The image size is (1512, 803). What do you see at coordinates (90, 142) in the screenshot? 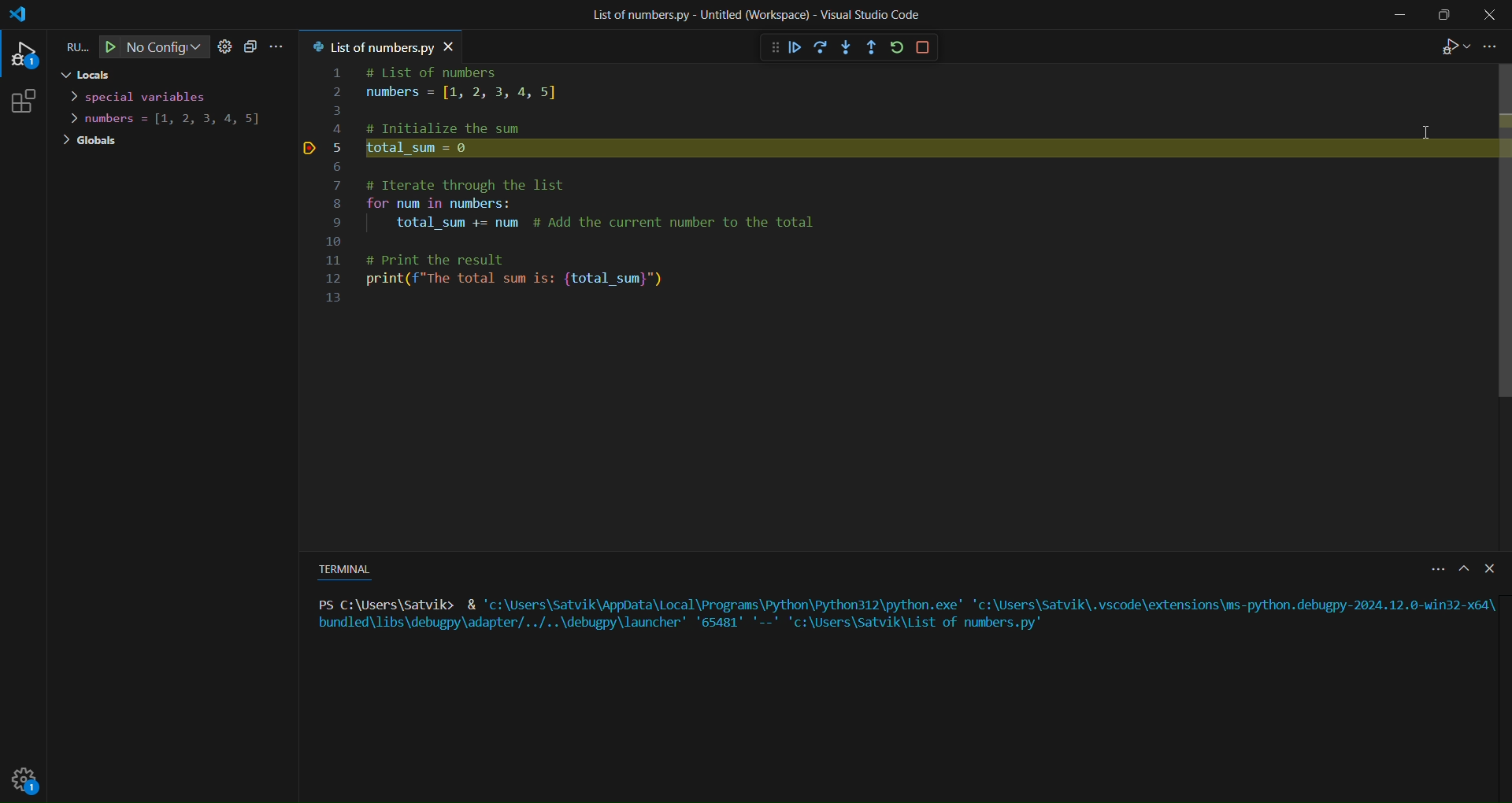
I see `globals` at bounding box center [90, 142].